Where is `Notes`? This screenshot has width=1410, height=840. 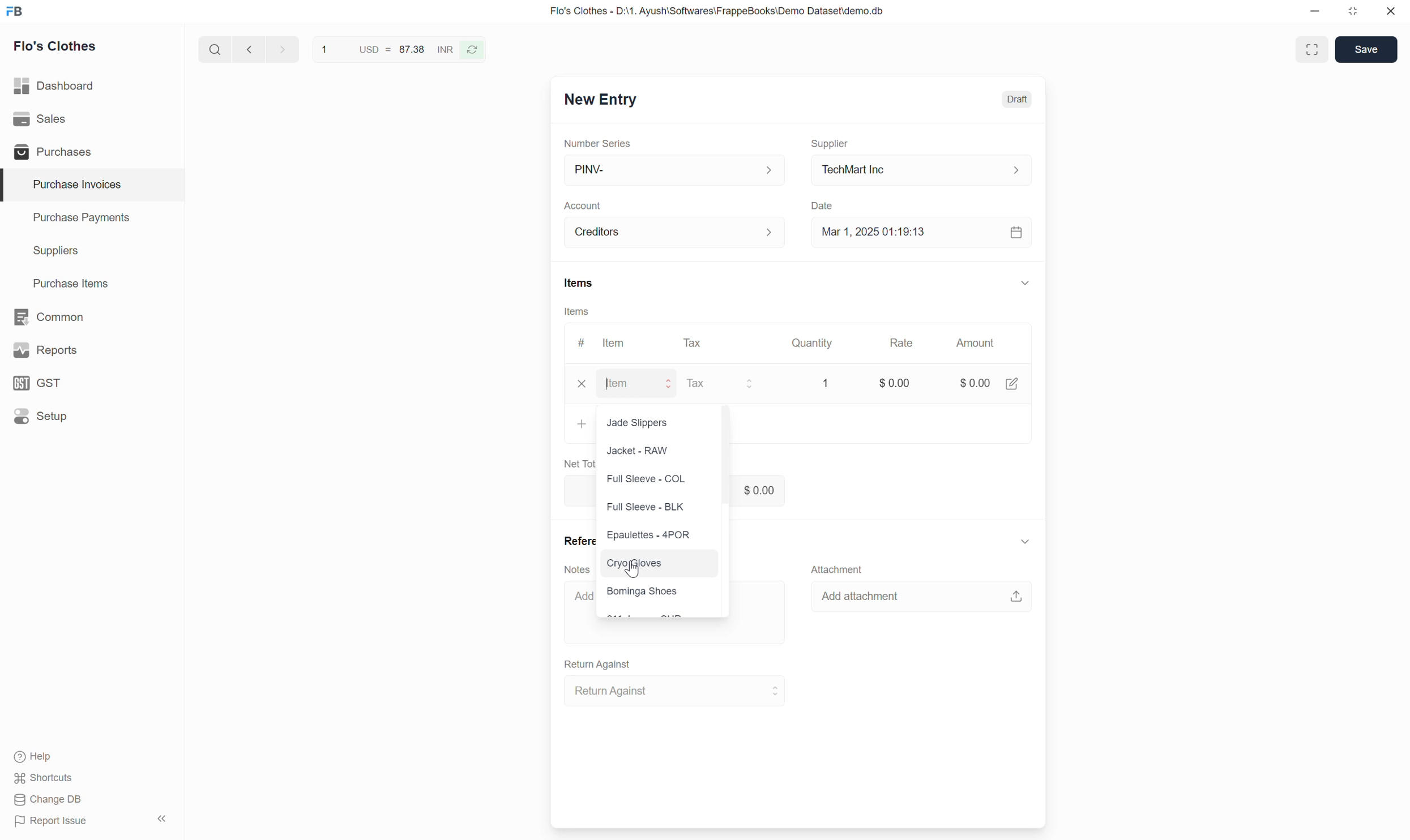 Notes is located at coordinates (575, 569).